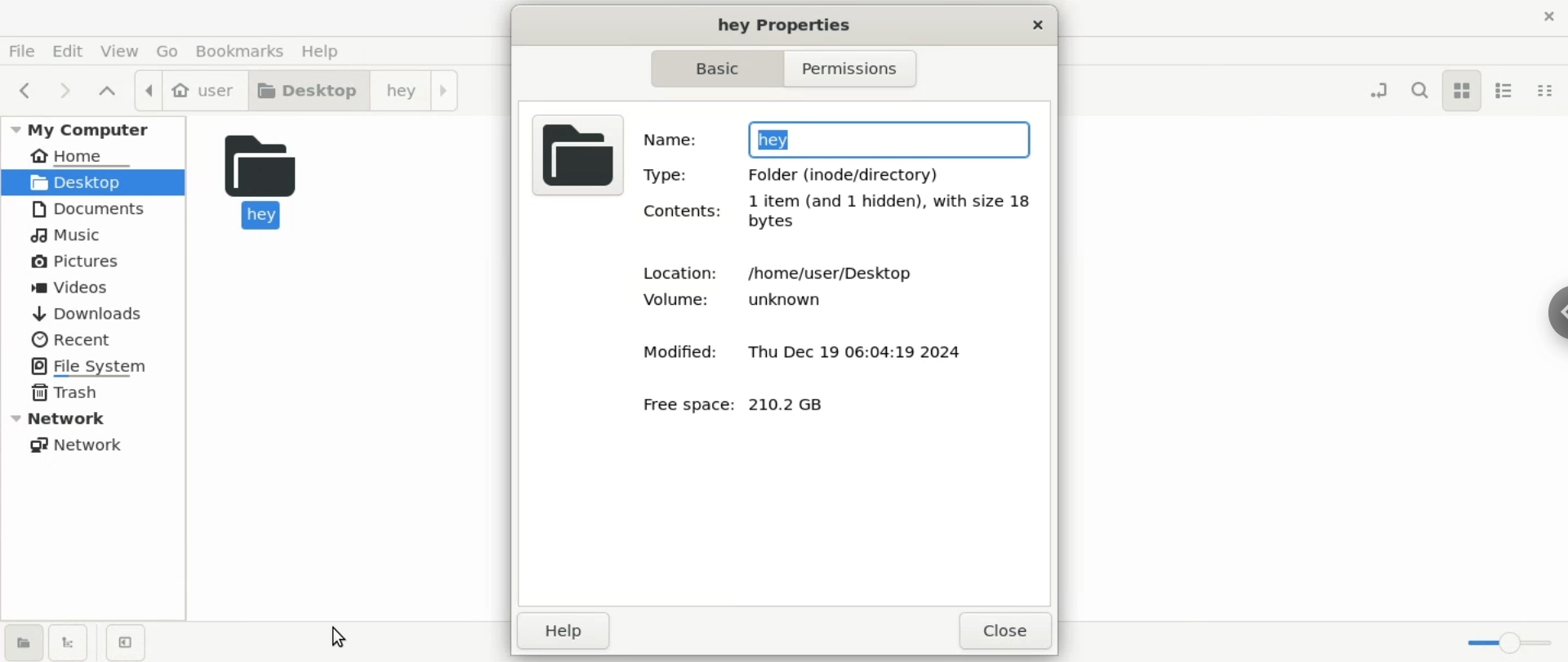 The width and height of the screenshot is (1568, 662). Describe the element at coordinates (860, 70) in the screenshot. I see `permissions` at that location.